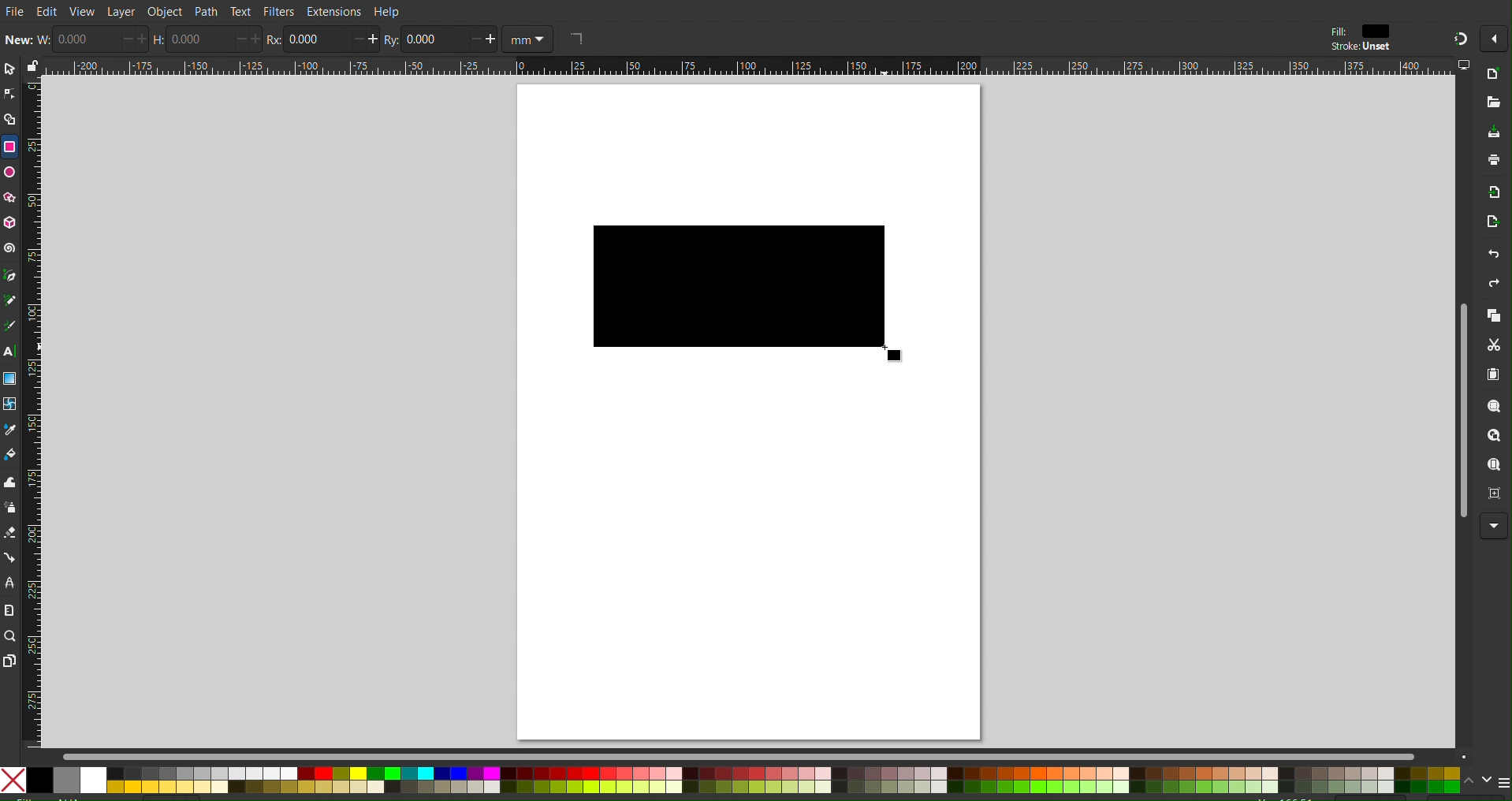 This screenshot has width=1512, height=801. What do you see at coordinates (1489, 195) in the screenshot?
I see `Import Bitmap` at bounding box center [1489, 195].